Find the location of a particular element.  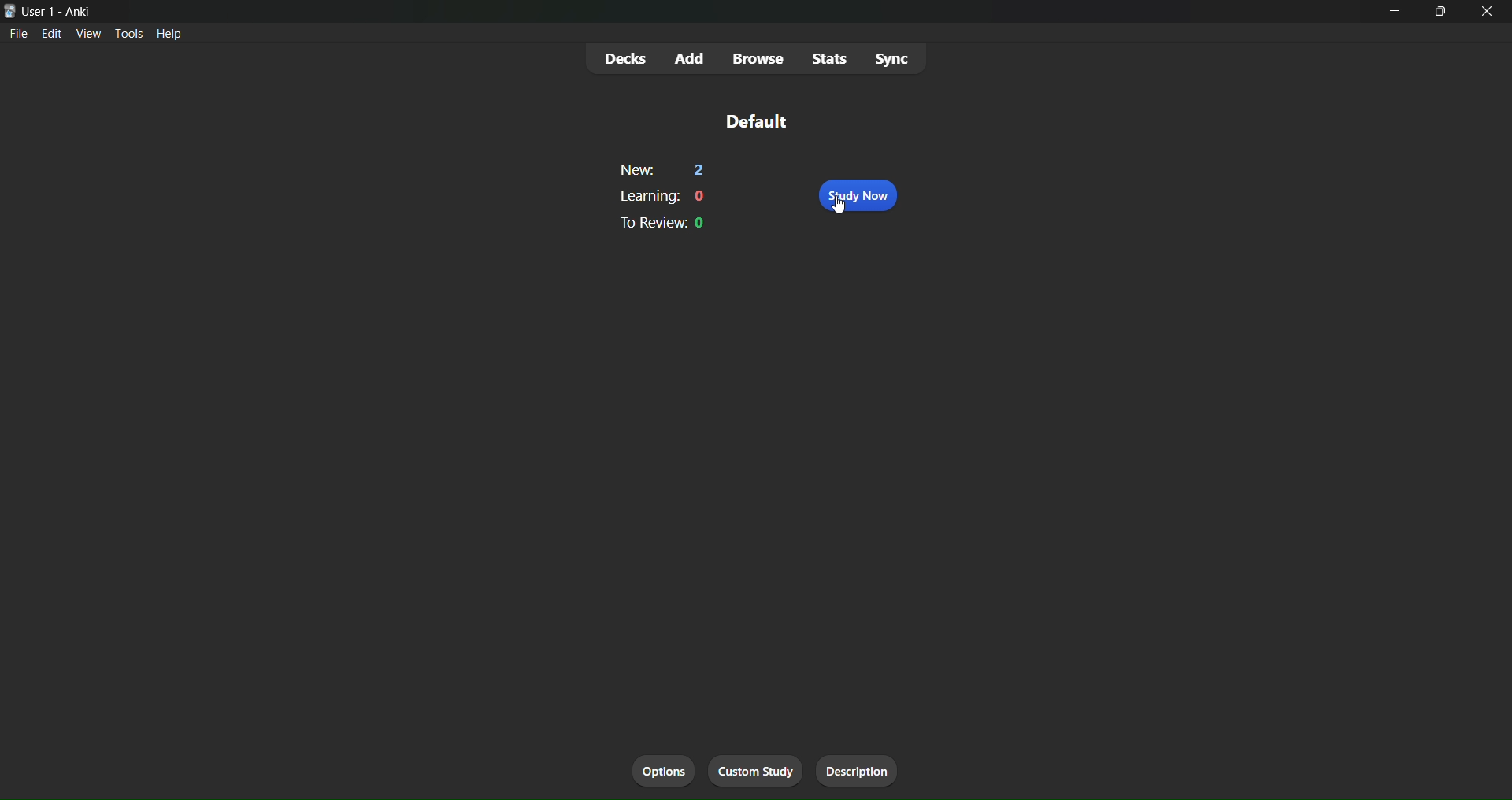

add is located at coordinates (691, 56).